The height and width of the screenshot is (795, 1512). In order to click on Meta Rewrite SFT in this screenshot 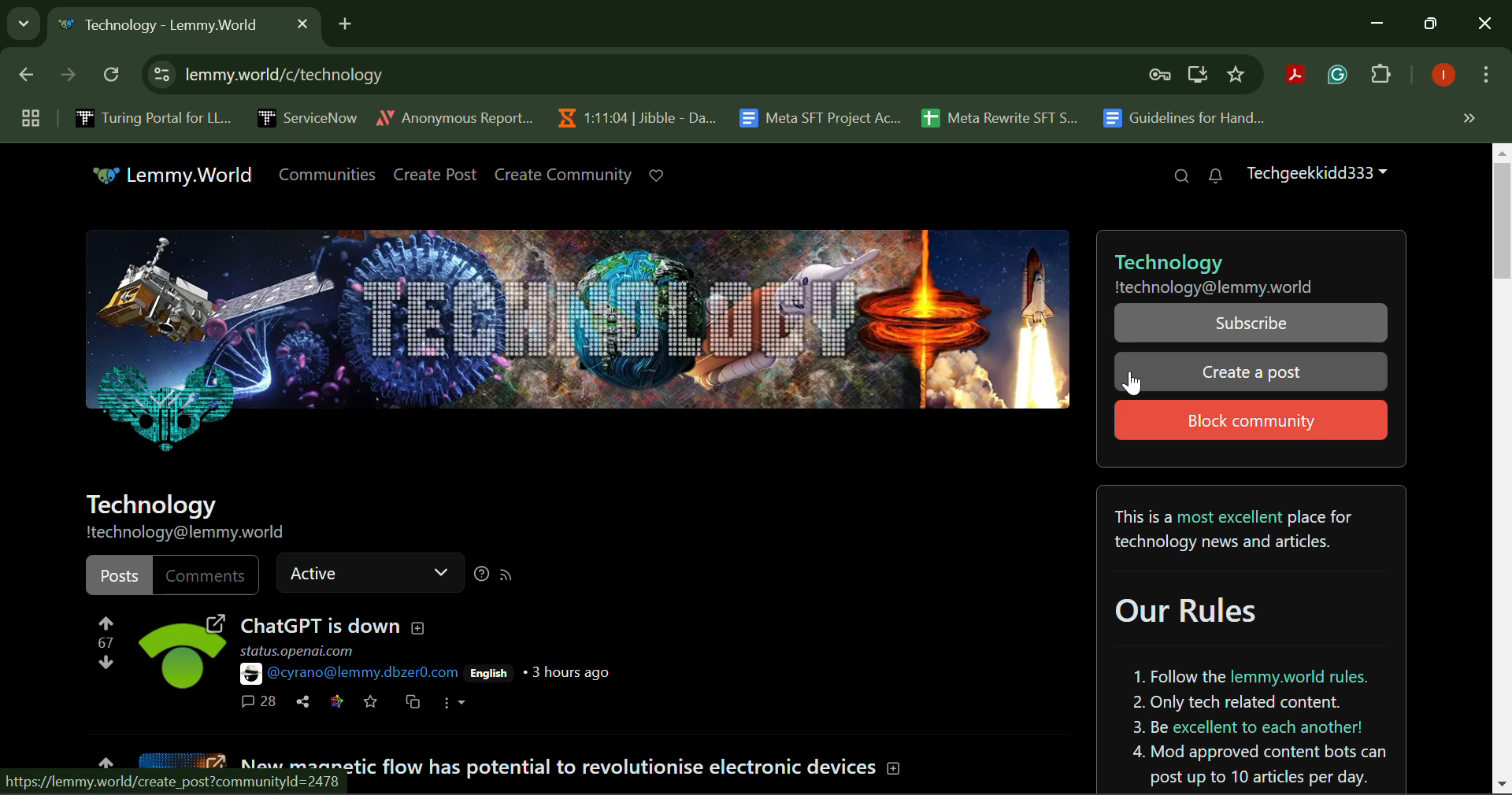, I will do `click(1006, 116)`.